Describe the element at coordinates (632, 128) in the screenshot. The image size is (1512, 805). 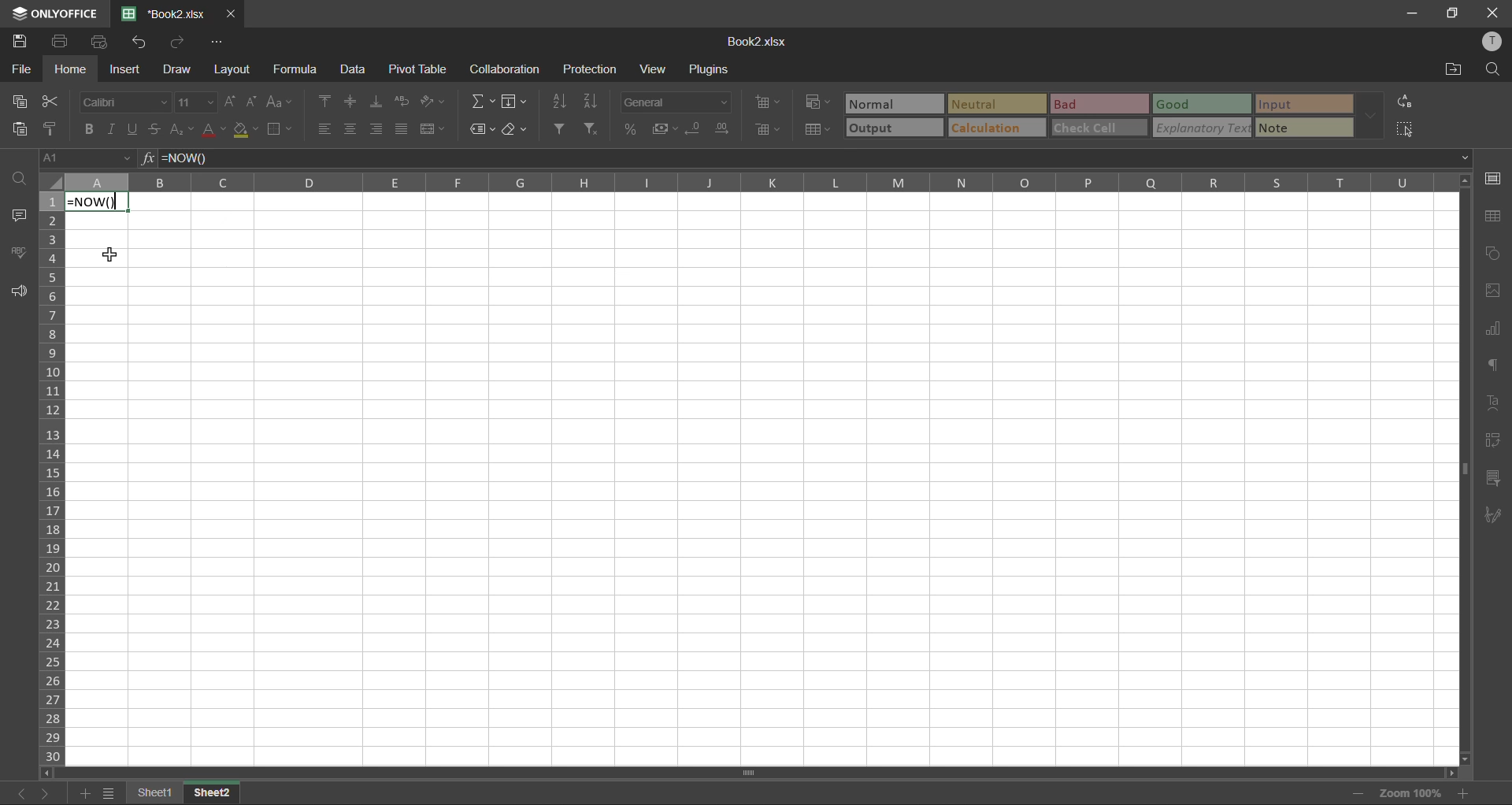
I see `percent` at that location.